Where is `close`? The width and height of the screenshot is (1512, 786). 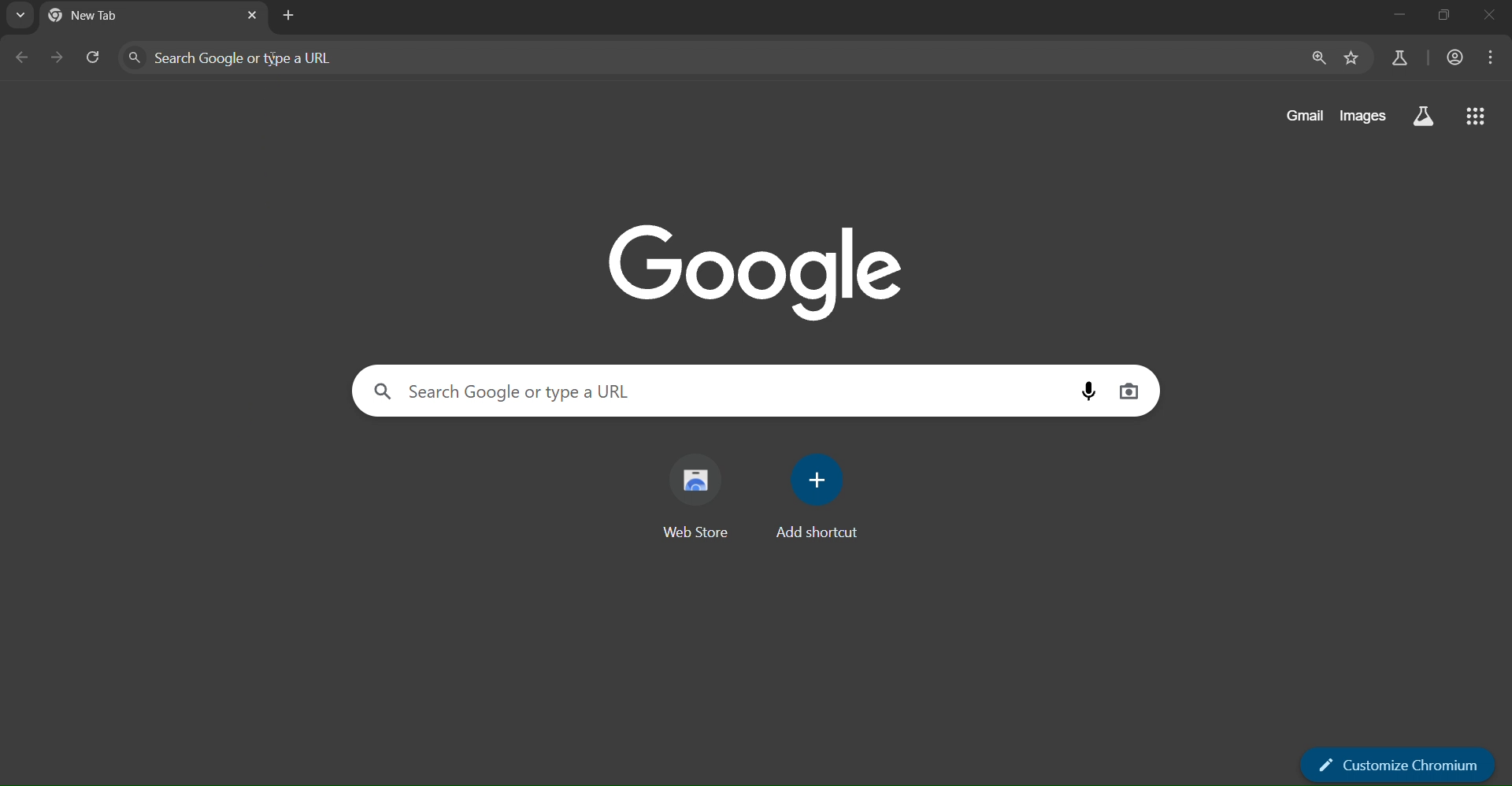
close is located at coordinates (1492, 14).